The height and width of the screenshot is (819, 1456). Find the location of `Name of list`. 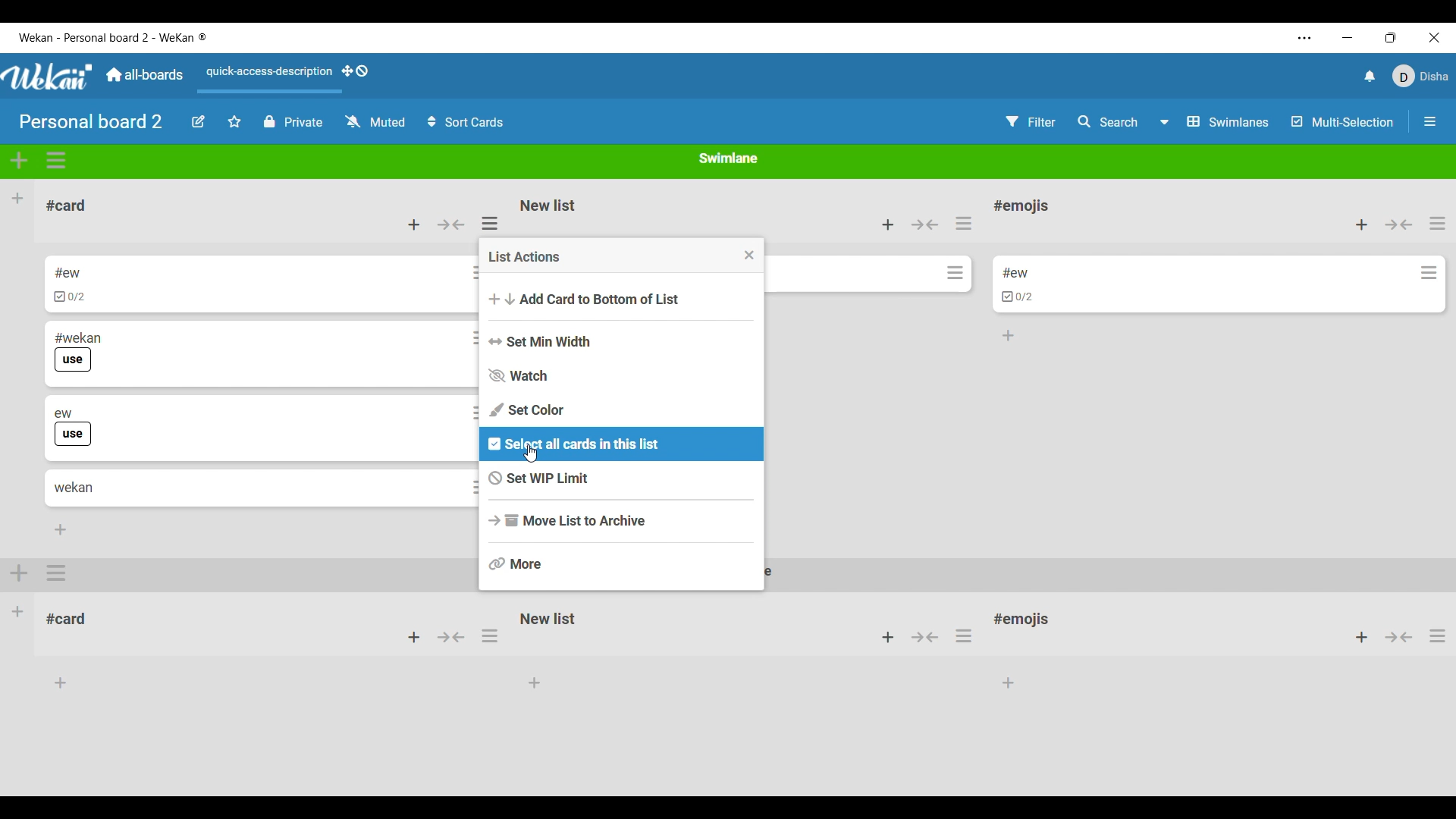

Name of list is located at coordinates (550, 204).